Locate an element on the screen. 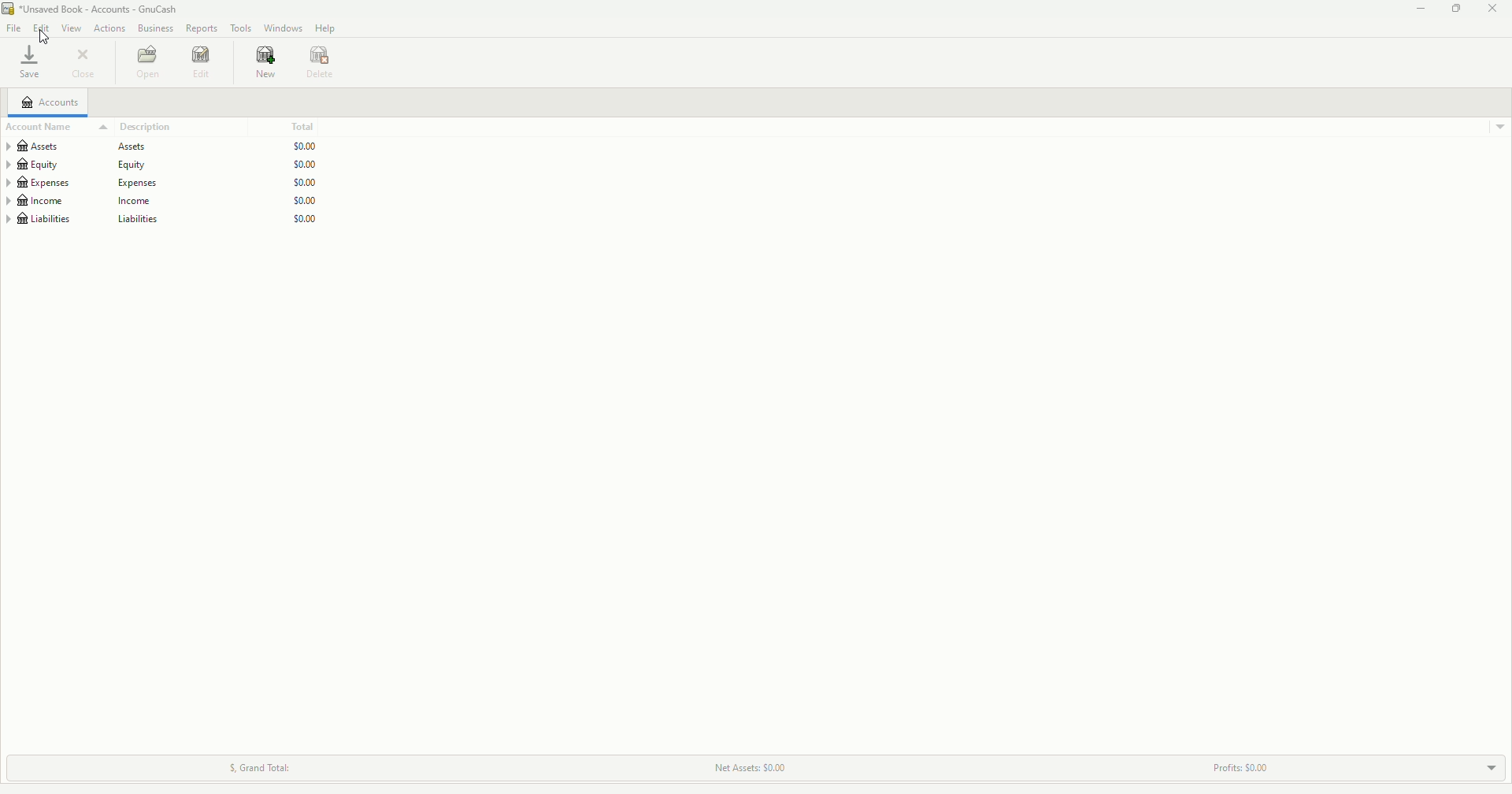 This screenshot has height=794, width=1512. file name is located at coordinates (102, 9).